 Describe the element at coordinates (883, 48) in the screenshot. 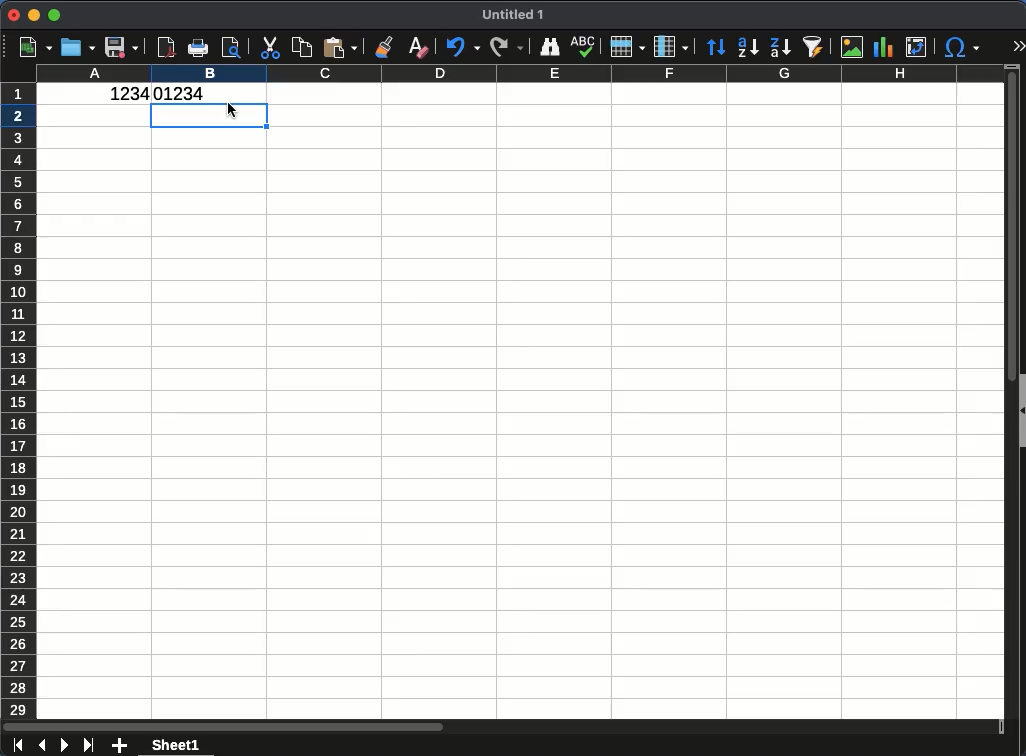

I see `chart` at that location.